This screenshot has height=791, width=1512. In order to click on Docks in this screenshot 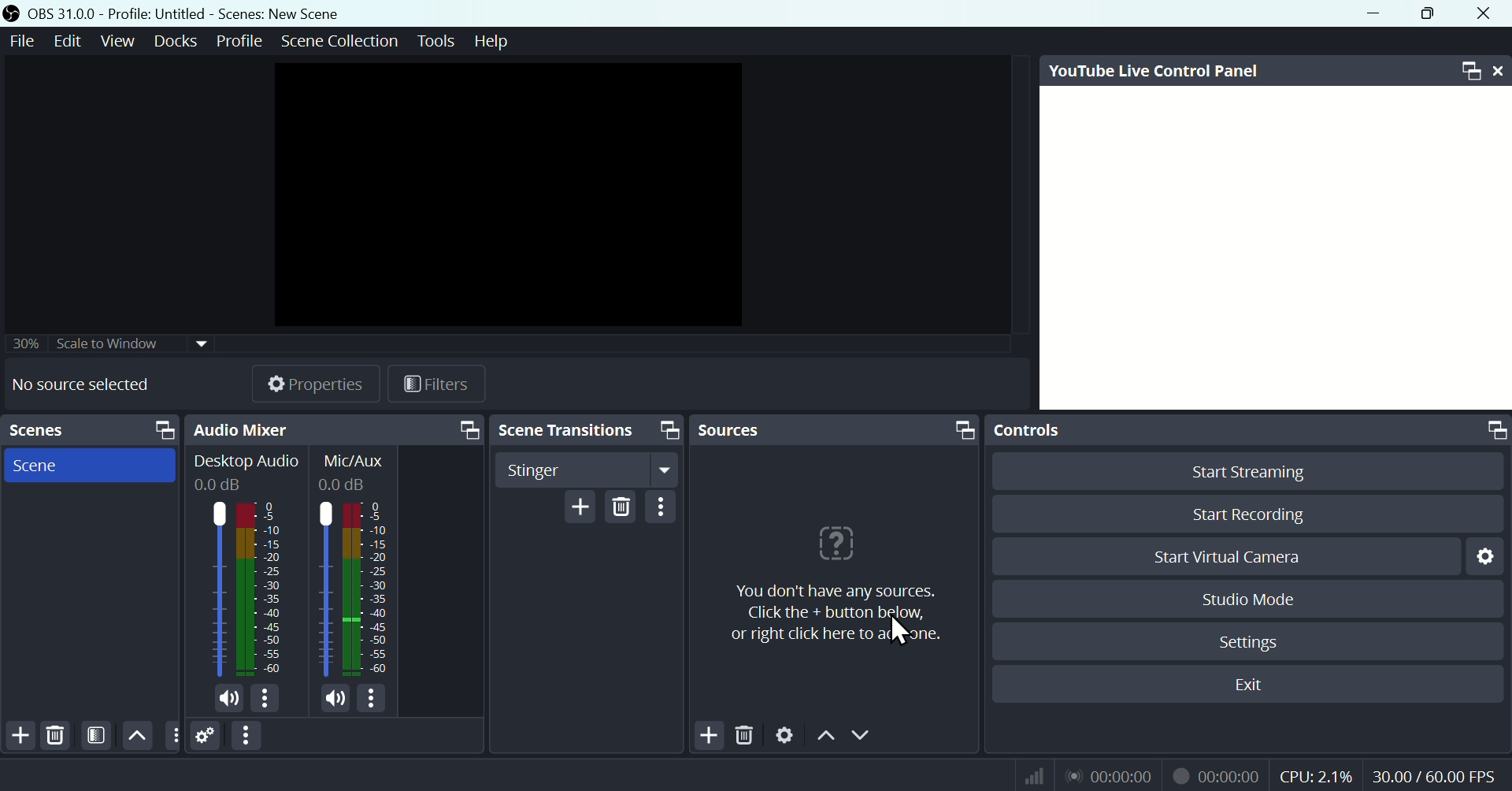, I will do `click(170, 41)`.